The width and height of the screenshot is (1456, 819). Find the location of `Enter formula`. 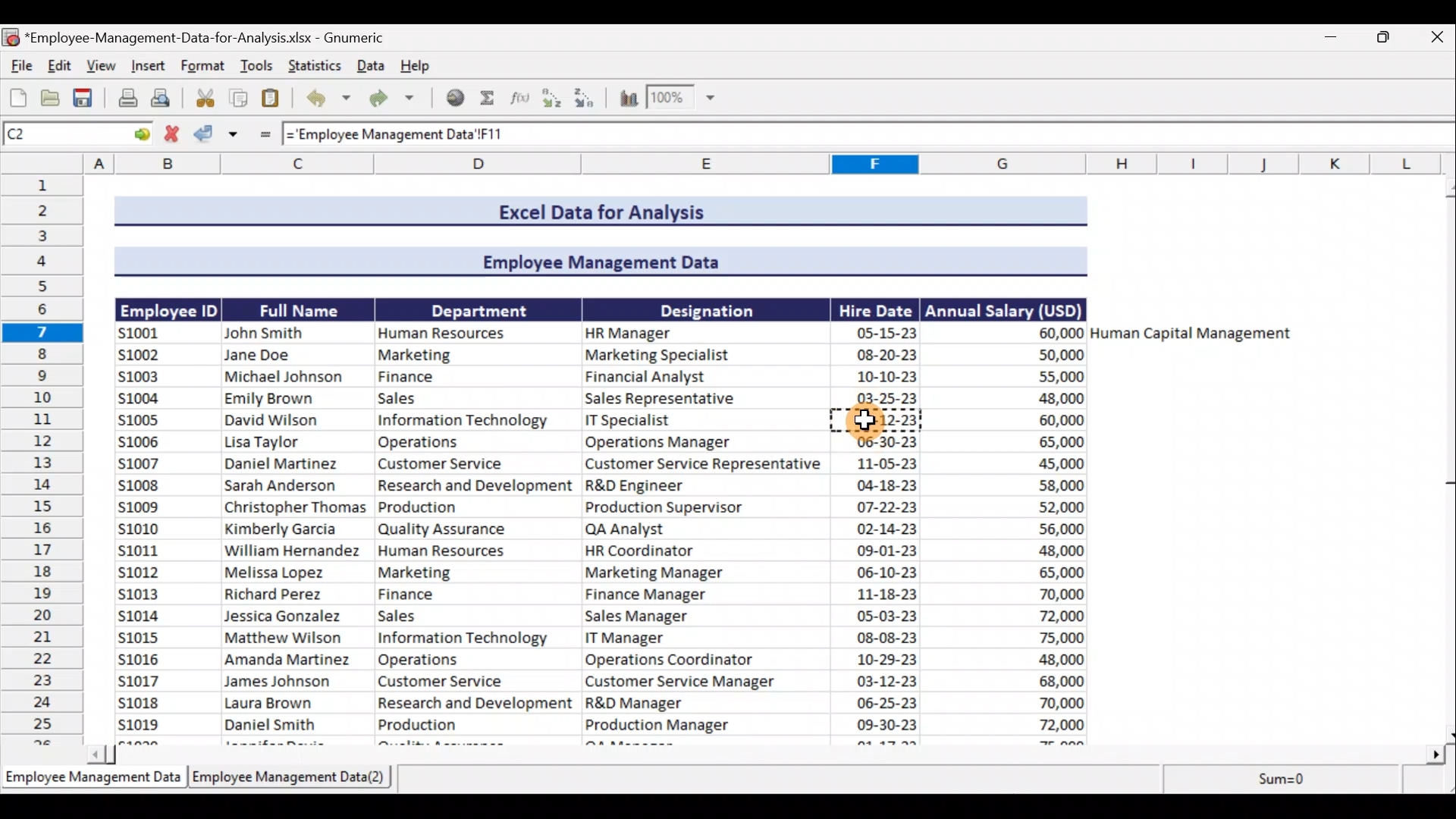

Enter formula is located at coordinates (259, 137).